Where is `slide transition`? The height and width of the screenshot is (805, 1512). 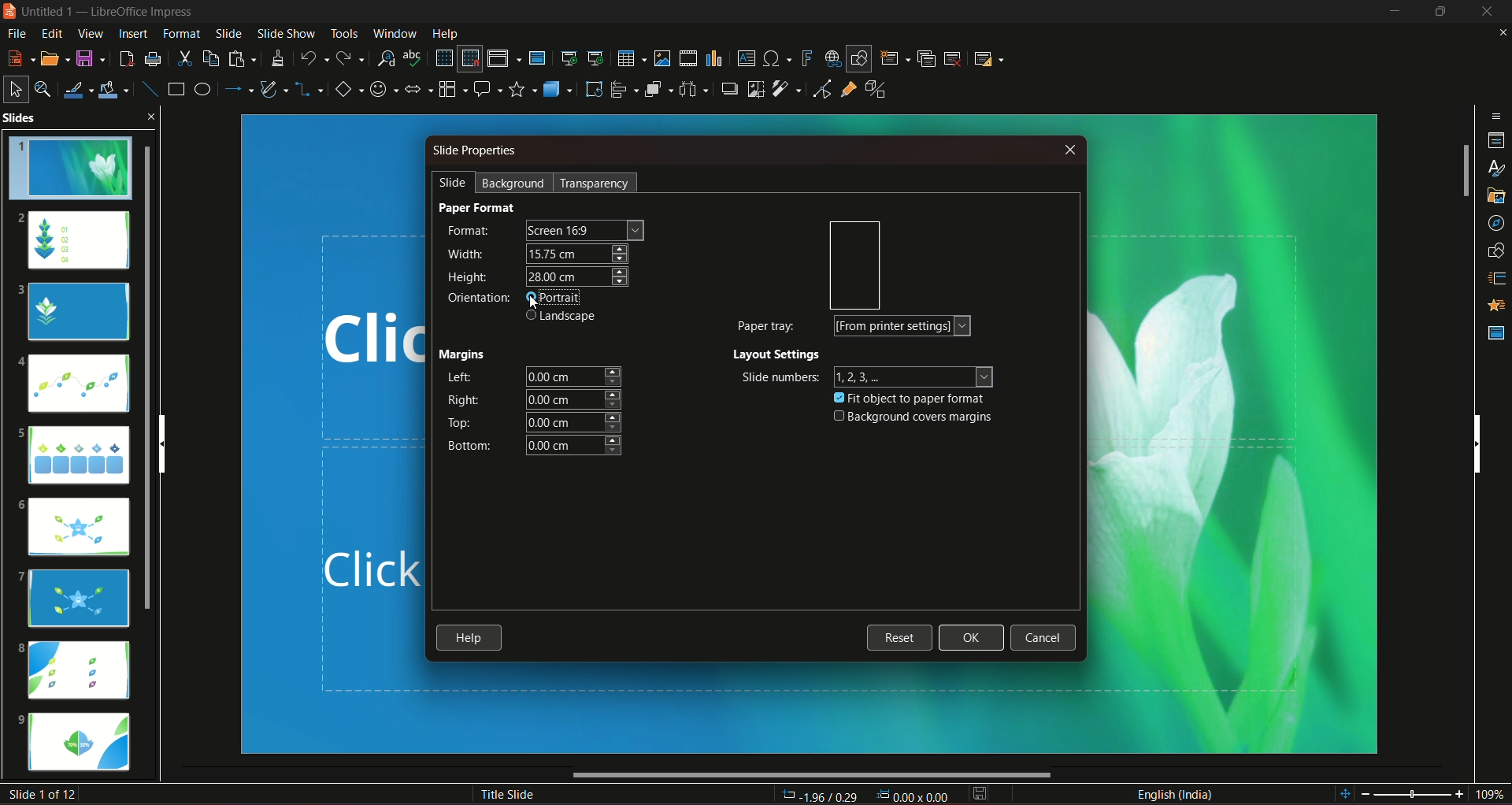
slide transition is located at coordinates (1494, 280).